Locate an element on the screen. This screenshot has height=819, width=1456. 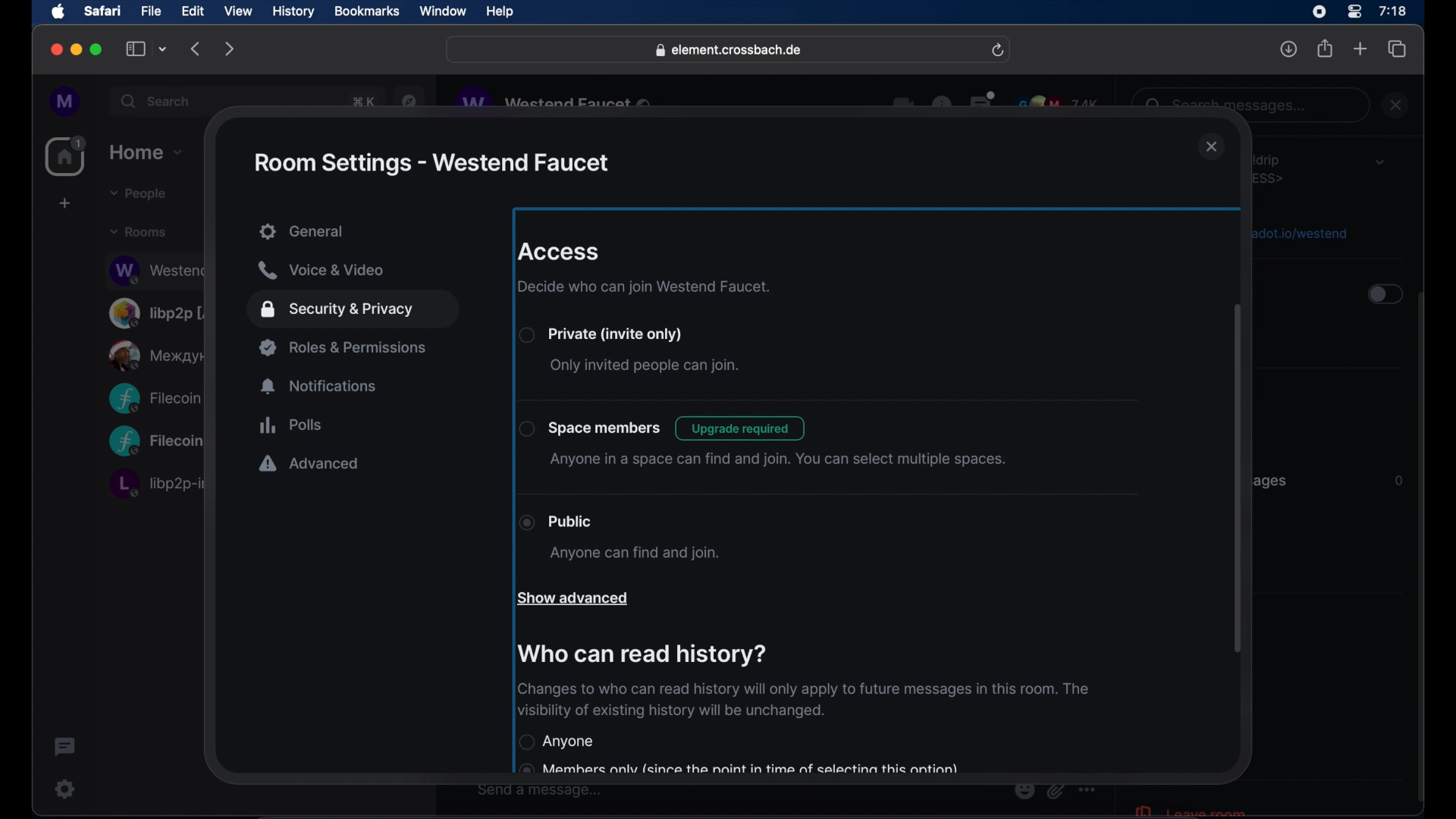
who can read history? is located at coordinates (644, 655).